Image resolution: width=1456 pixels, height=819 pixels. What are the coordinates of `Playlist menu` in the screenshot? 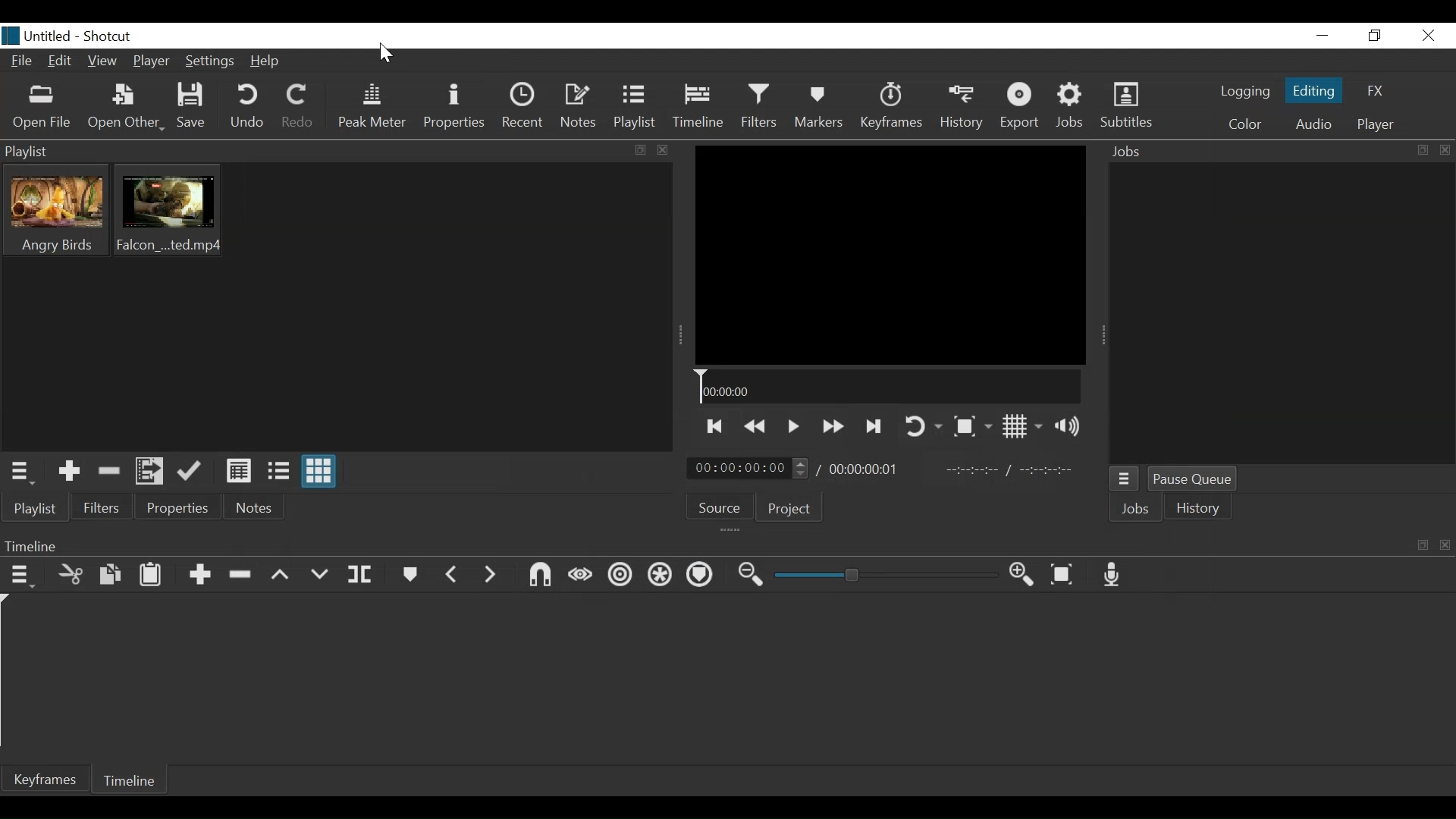 It's located at (42, 509).